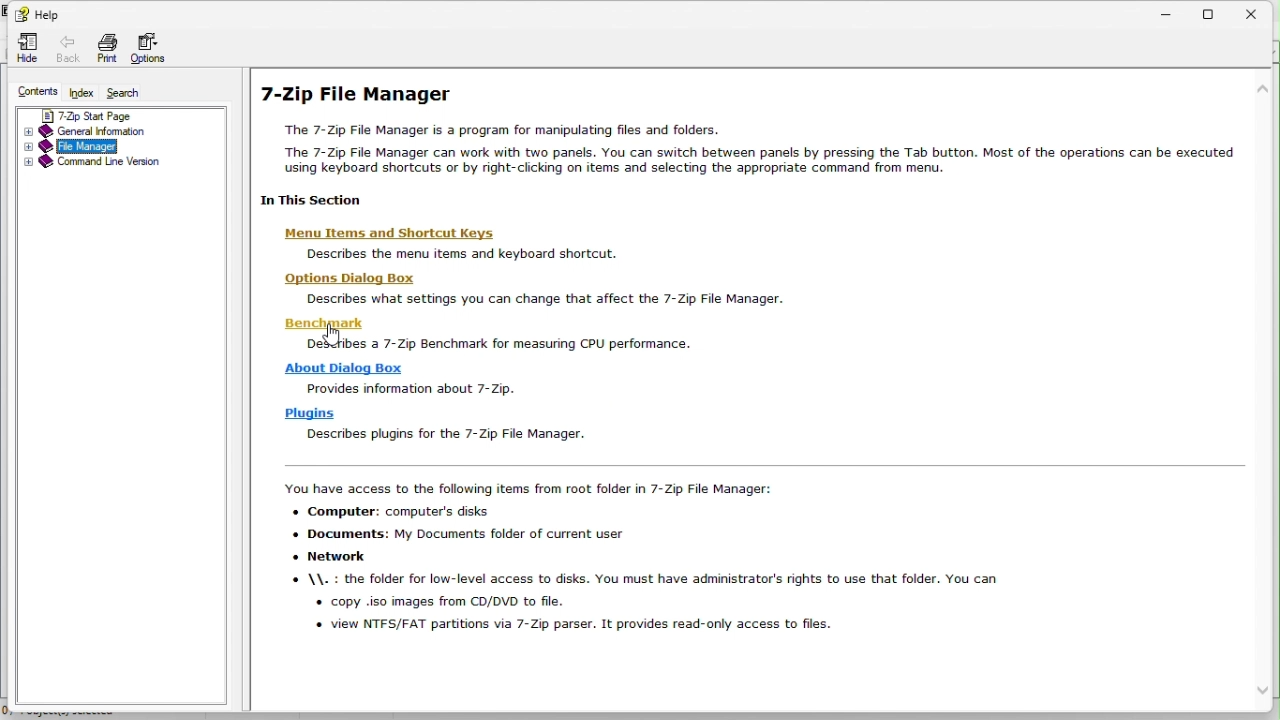 The image size is (1280, 720). I want to click on Close, so click(1260, 13).